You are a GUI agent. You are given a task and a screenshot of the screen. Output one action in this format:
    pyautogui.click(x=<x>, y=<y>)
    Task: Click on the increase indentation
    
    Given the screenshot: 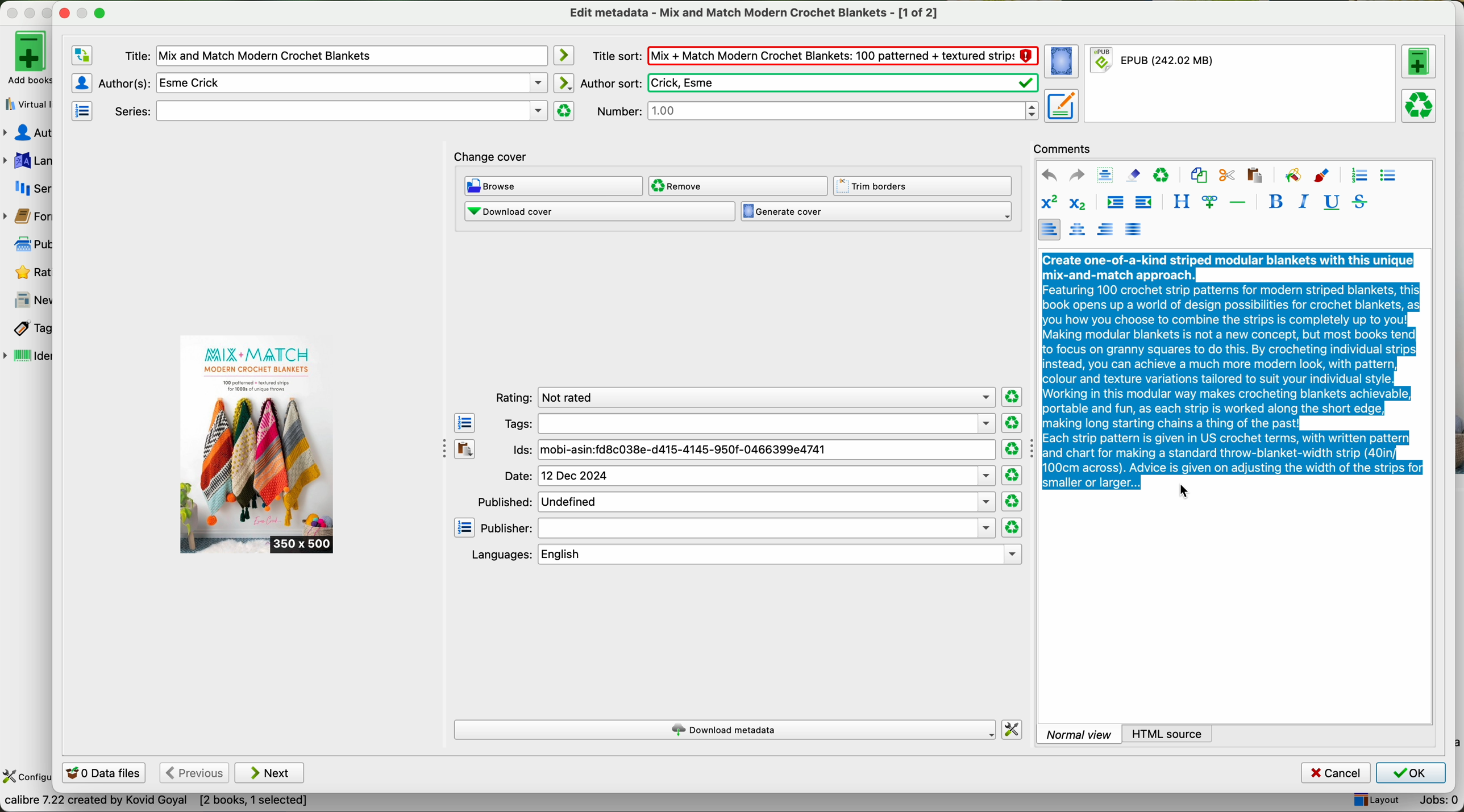 What is the action you would take?
    pyautogui.click(x=1114, y=204)
    